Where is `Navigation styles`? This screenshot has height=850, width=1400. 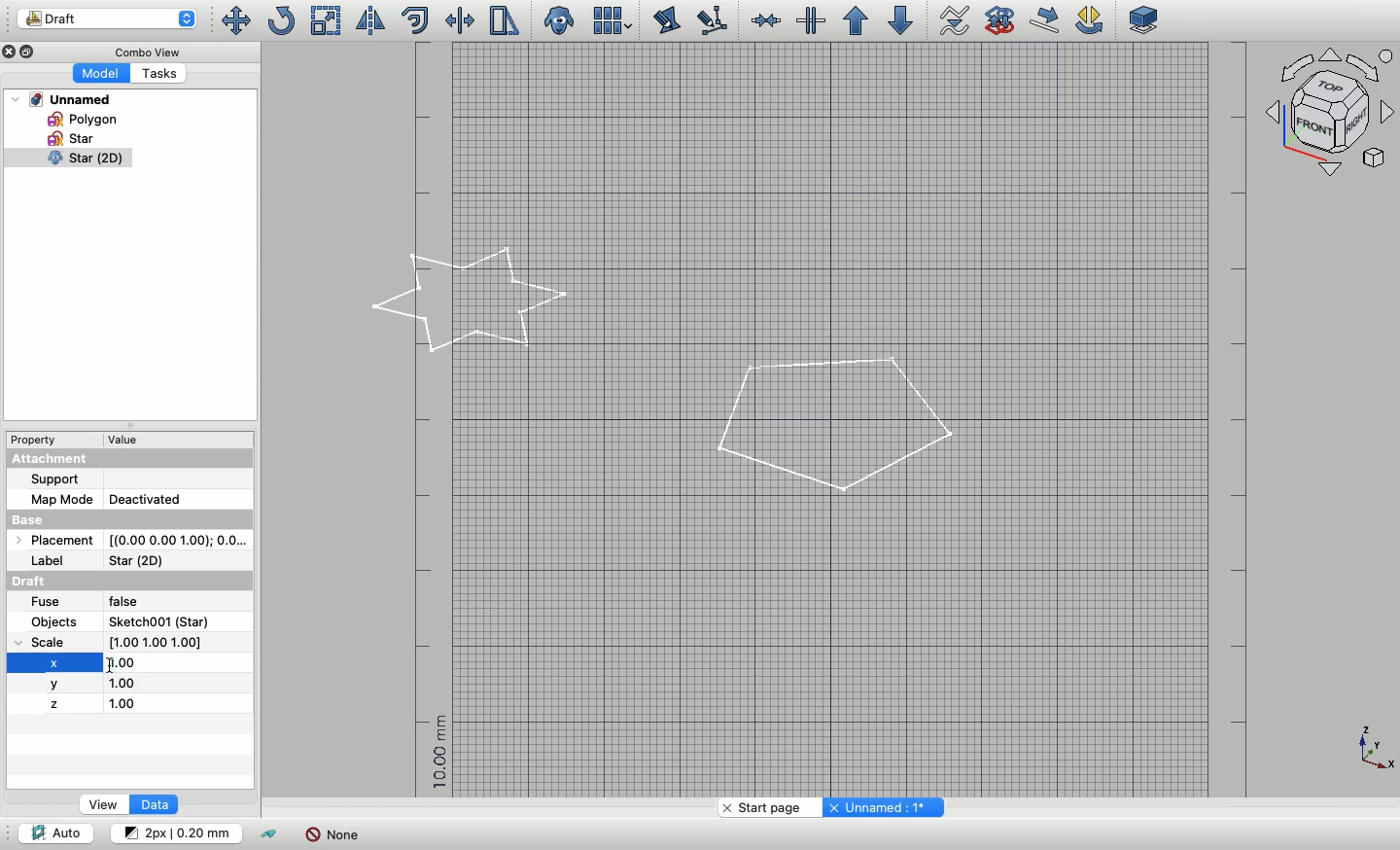 Navigation styles is located at coordinates (1332, 115).